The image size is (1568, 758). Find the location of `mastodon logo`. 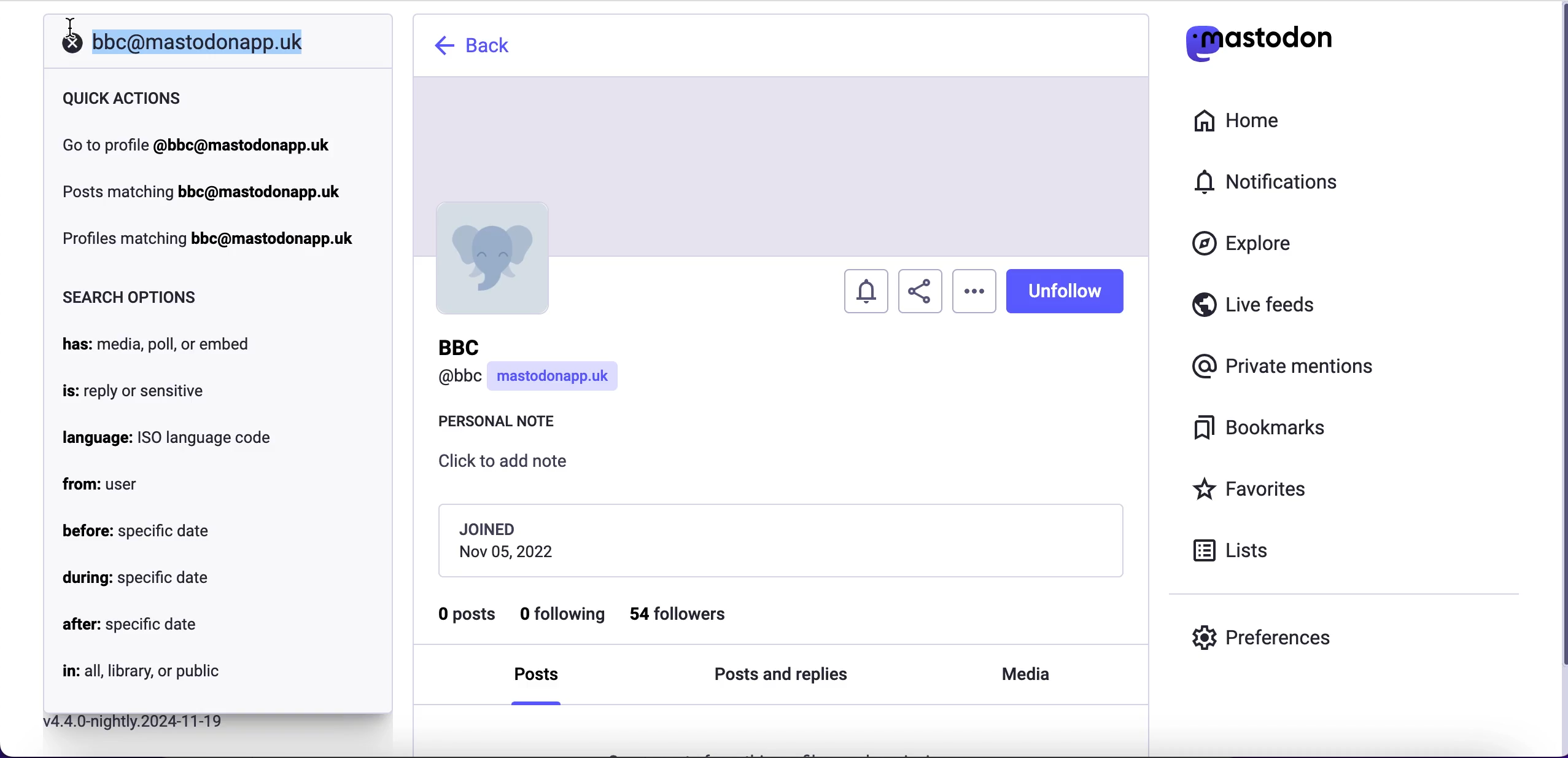

mastodon logo is located at coordinates (1259, 40).